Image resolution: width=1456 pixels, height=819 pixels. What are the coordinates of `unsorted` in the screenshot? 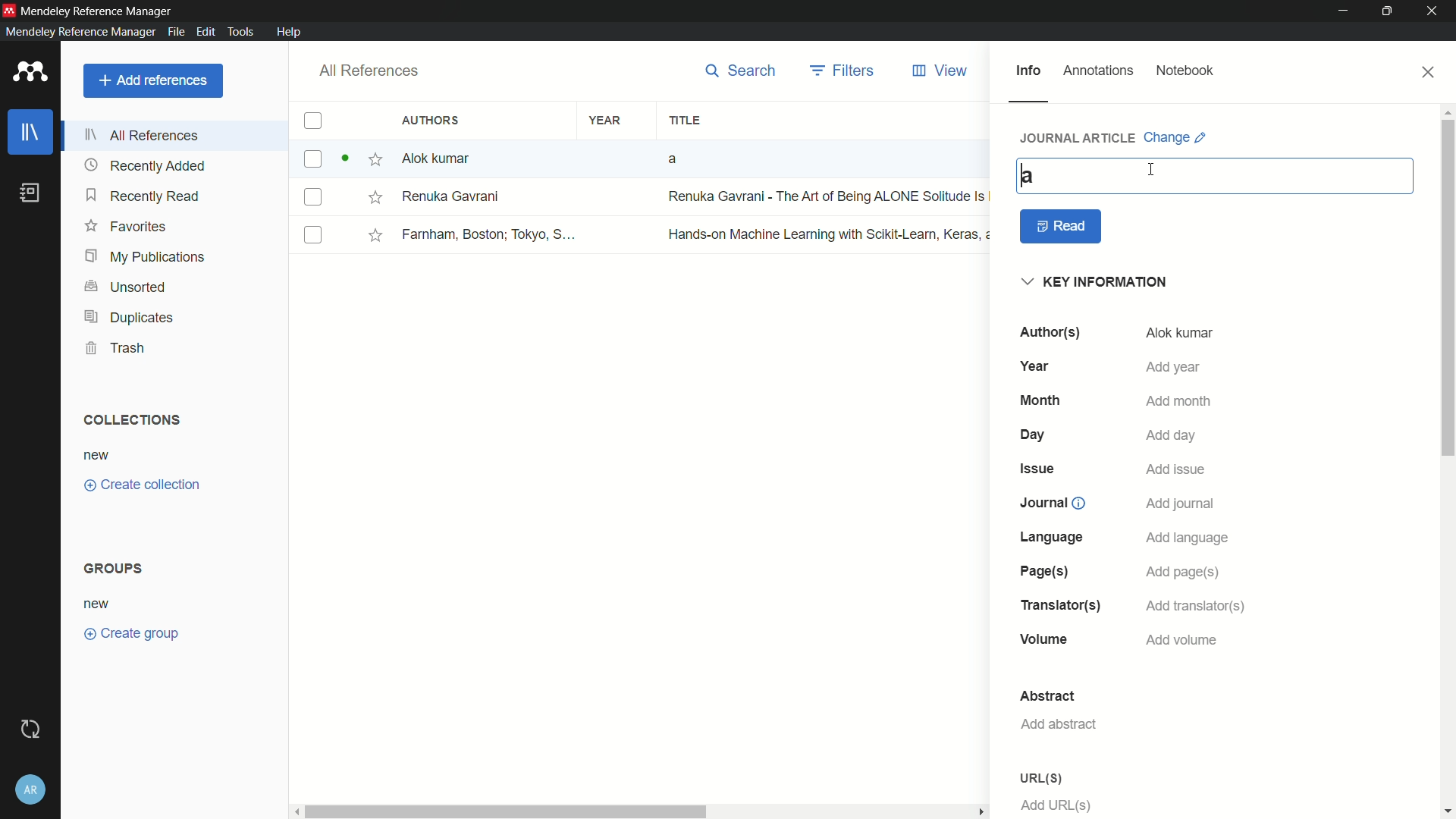 It's located at (127, 288).